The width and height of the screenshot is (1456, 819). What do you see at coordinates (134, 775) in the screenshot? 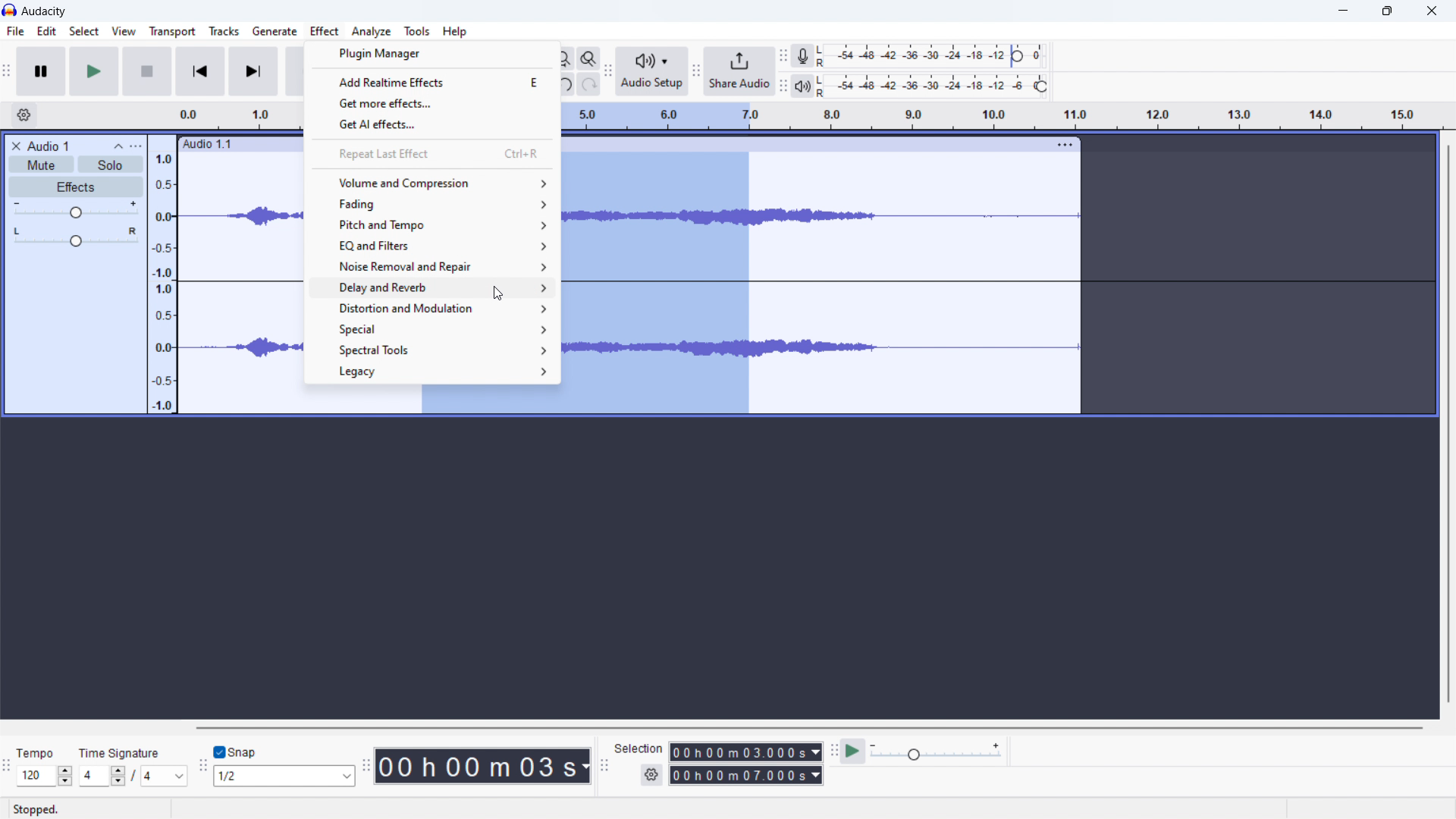
I see `/` at bounding box center [134, 775].